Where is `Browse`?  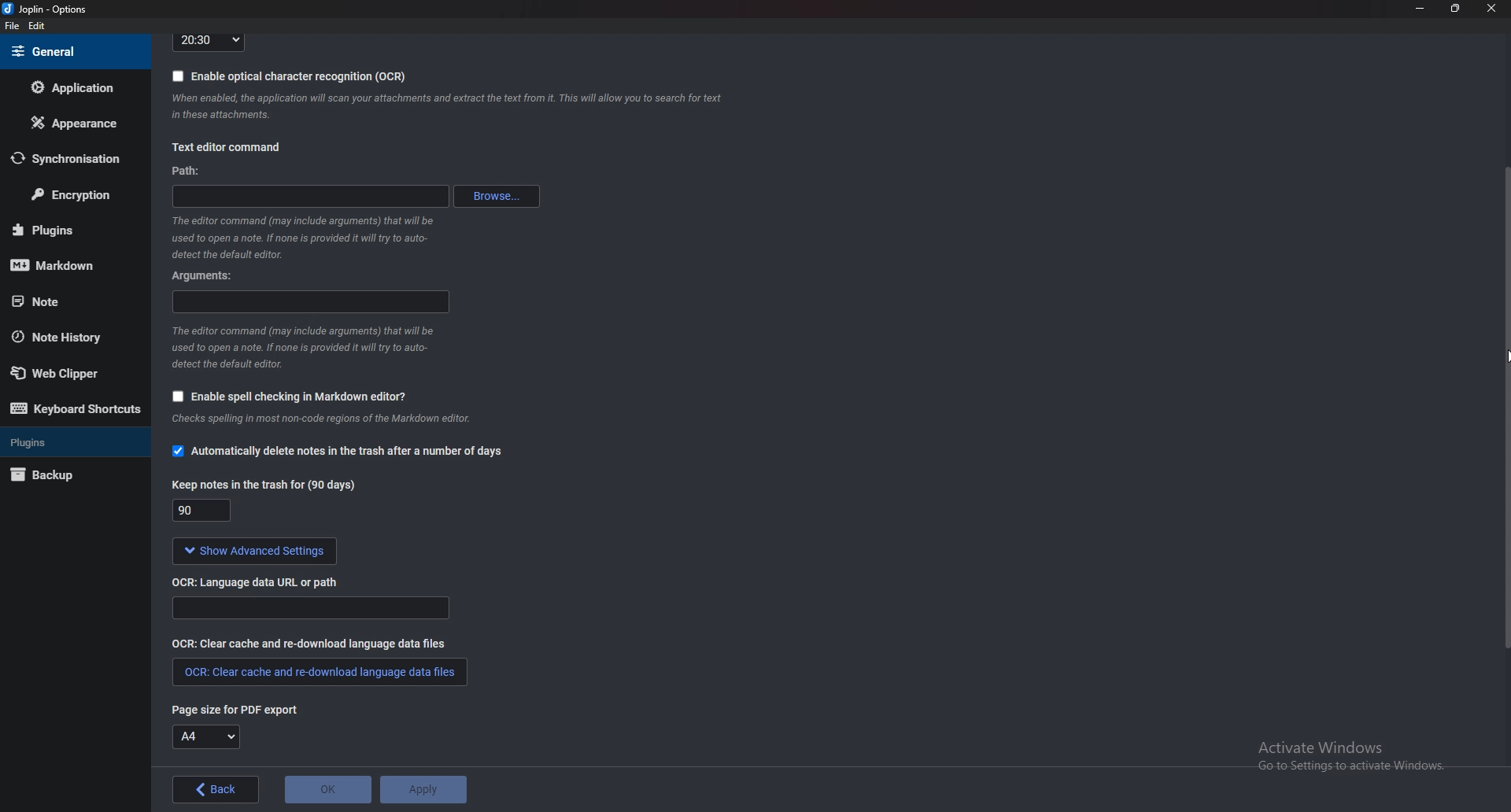 Browse is located at coordinates (499, 196).